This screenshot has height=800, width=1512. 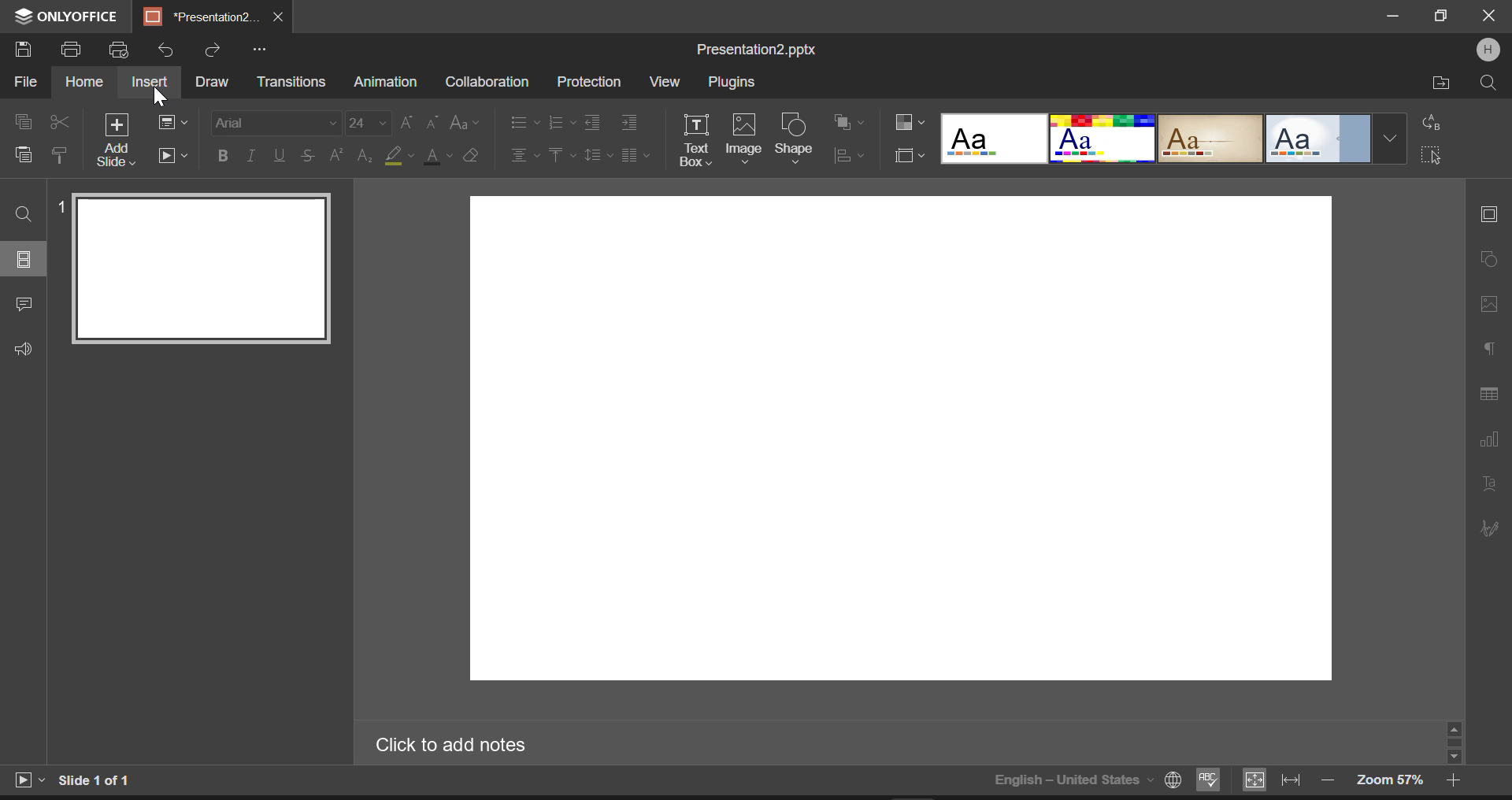 I want to click on *Presentation2.pptx, so click(x=201, y=17).